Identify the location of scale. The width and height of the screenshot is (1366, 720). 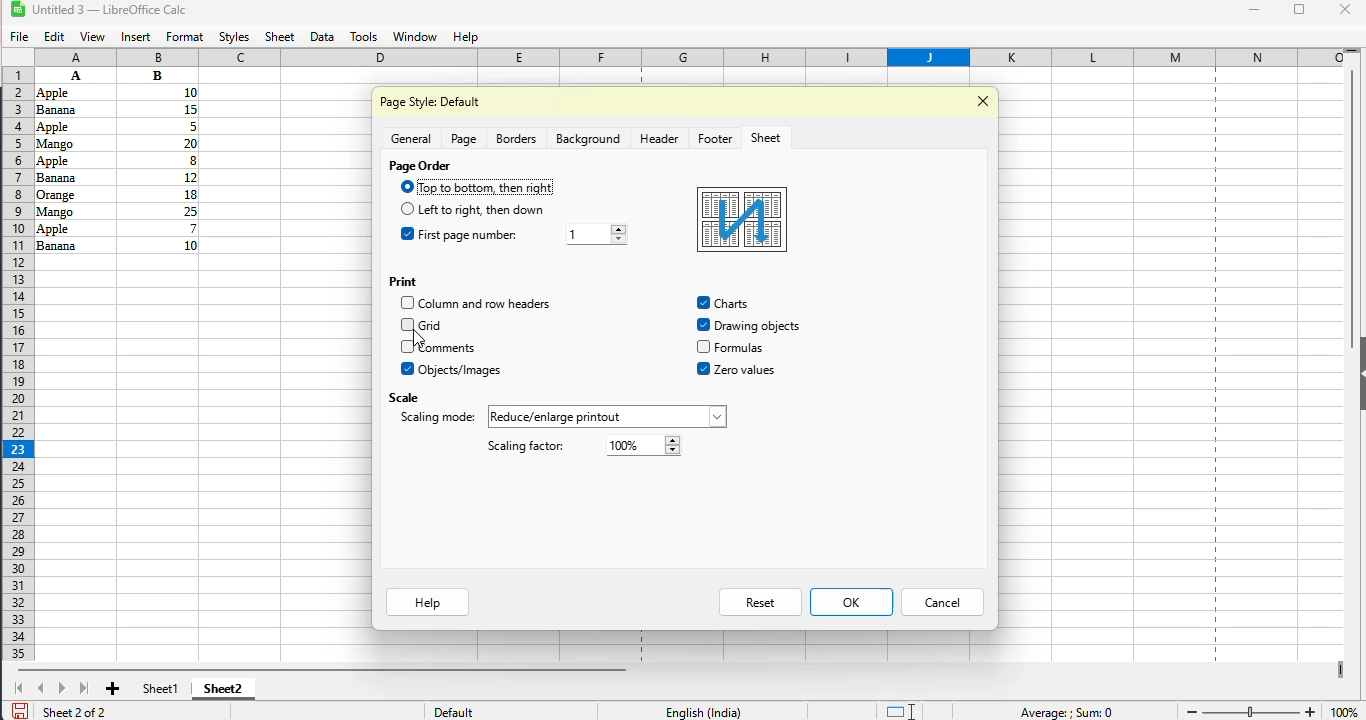
(403, 396).